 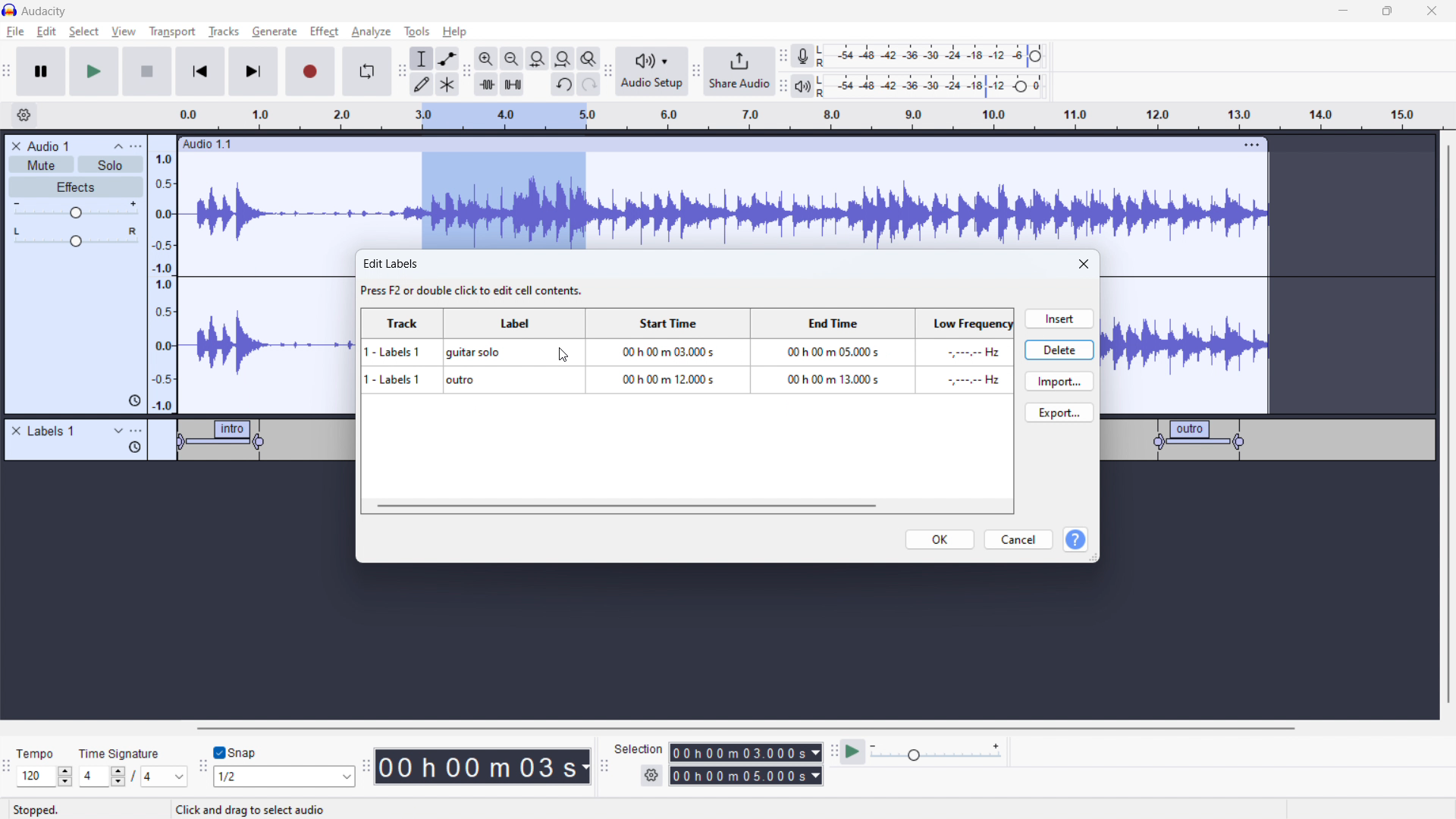 I want to click on history, so click(x=135, y=447).